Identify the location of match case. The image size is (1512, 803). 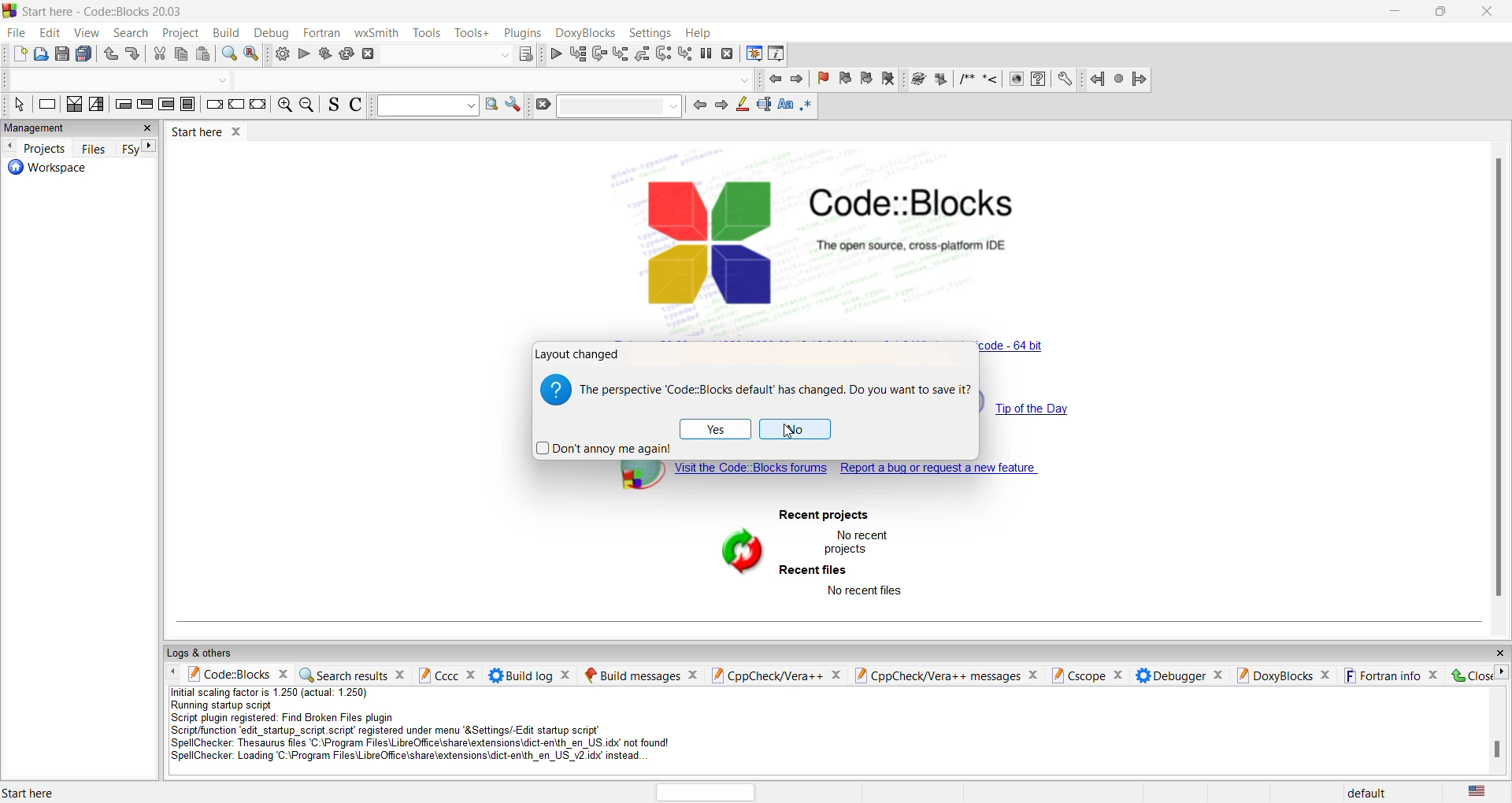
(784, 107).